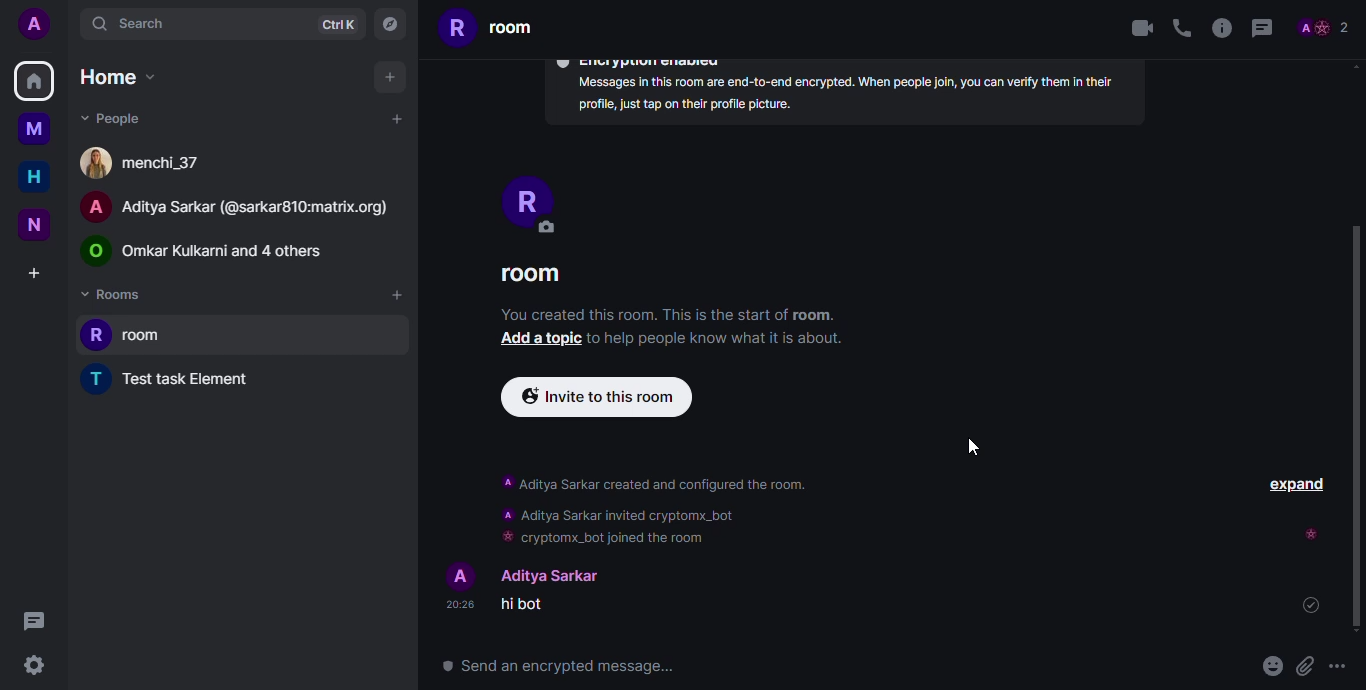 This screenshot has width=1366, height=690. What do you see at coordinates (236, 207) in the screenshot?
I see `A Aditya Sarkar (@sarkar810:matrix.org)` at bounding box center [236, 207].